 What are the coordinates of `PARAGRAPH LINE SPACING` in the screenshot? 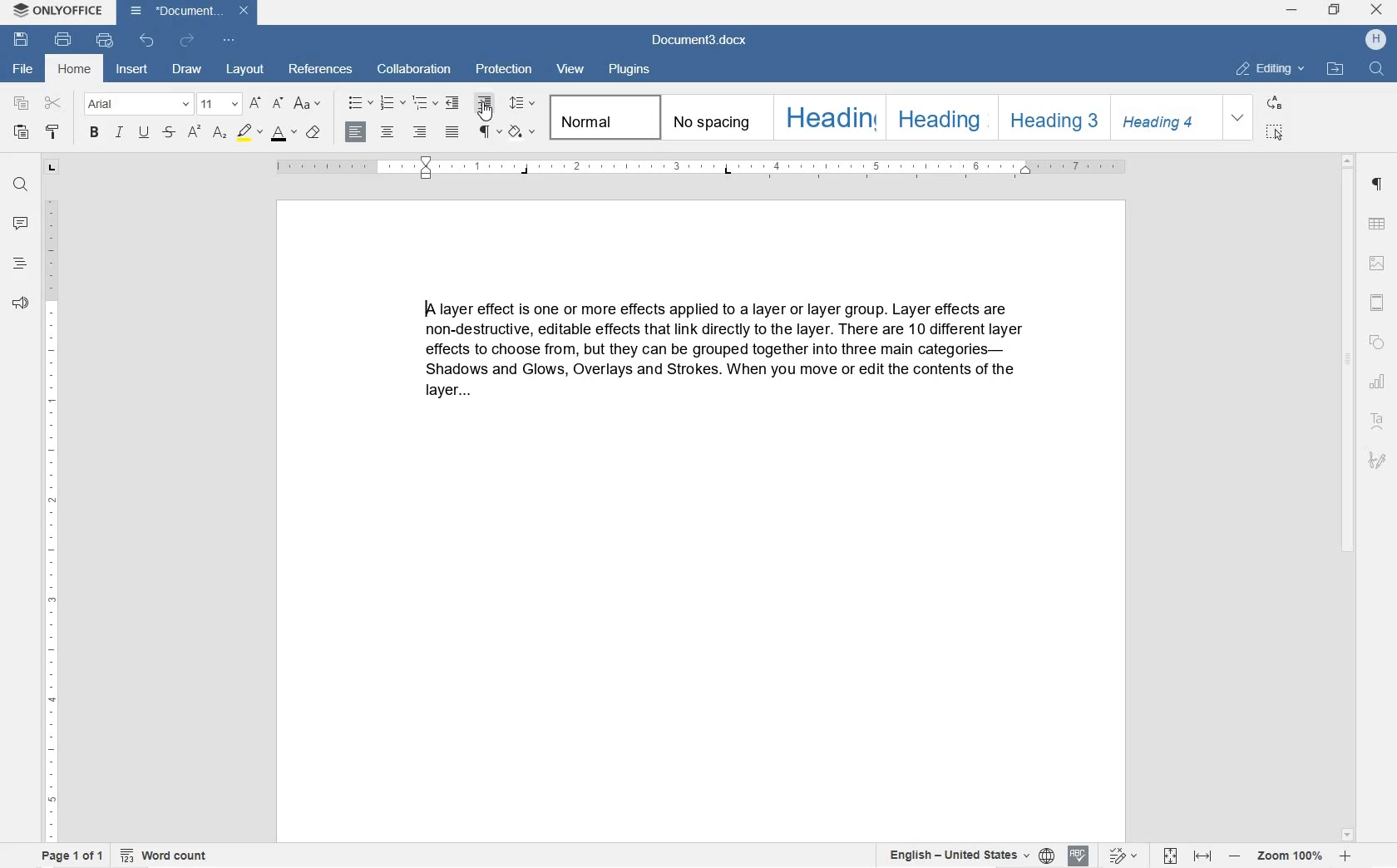 It's located at (523, 104).